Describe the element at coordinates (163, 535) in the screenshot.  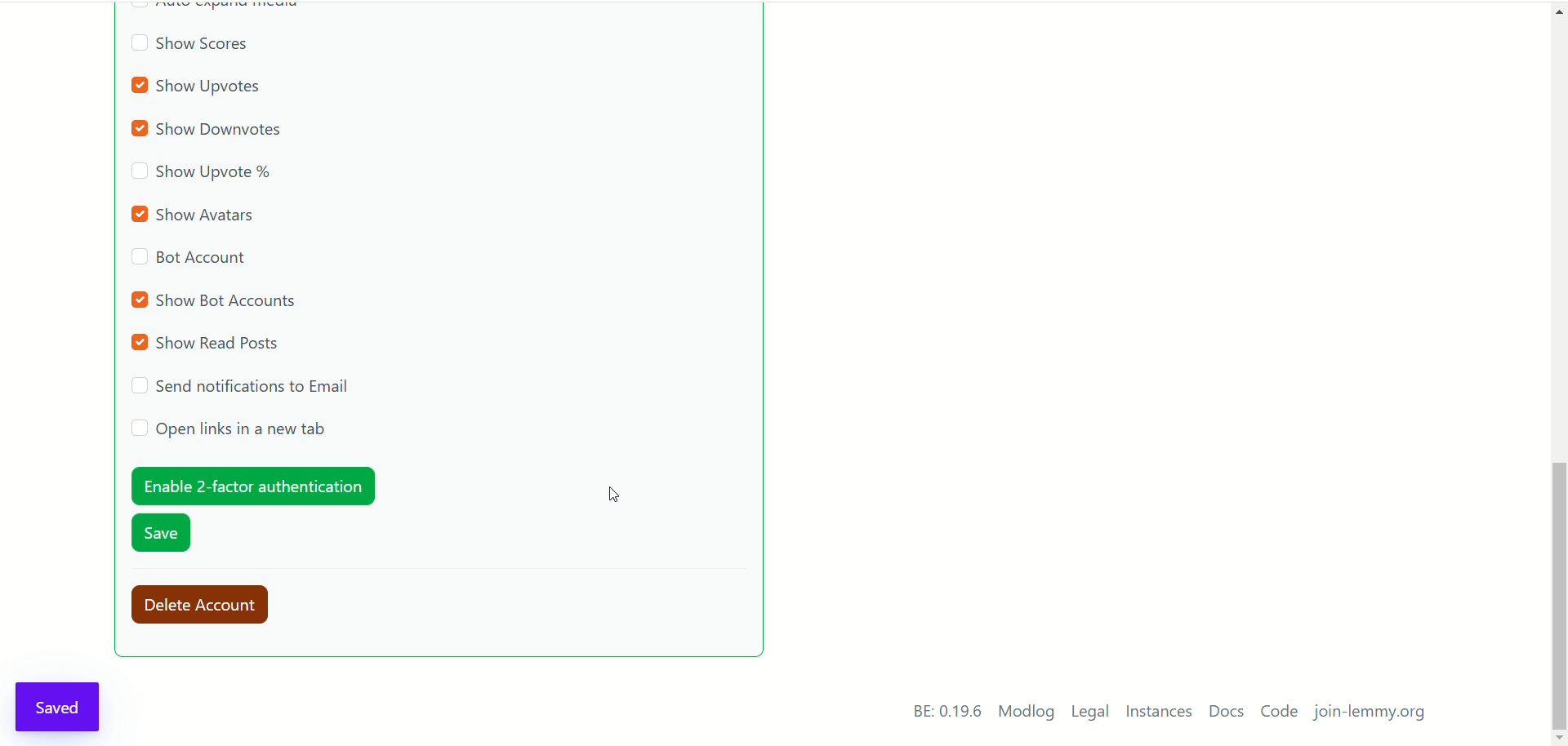
I see `save` at that location.